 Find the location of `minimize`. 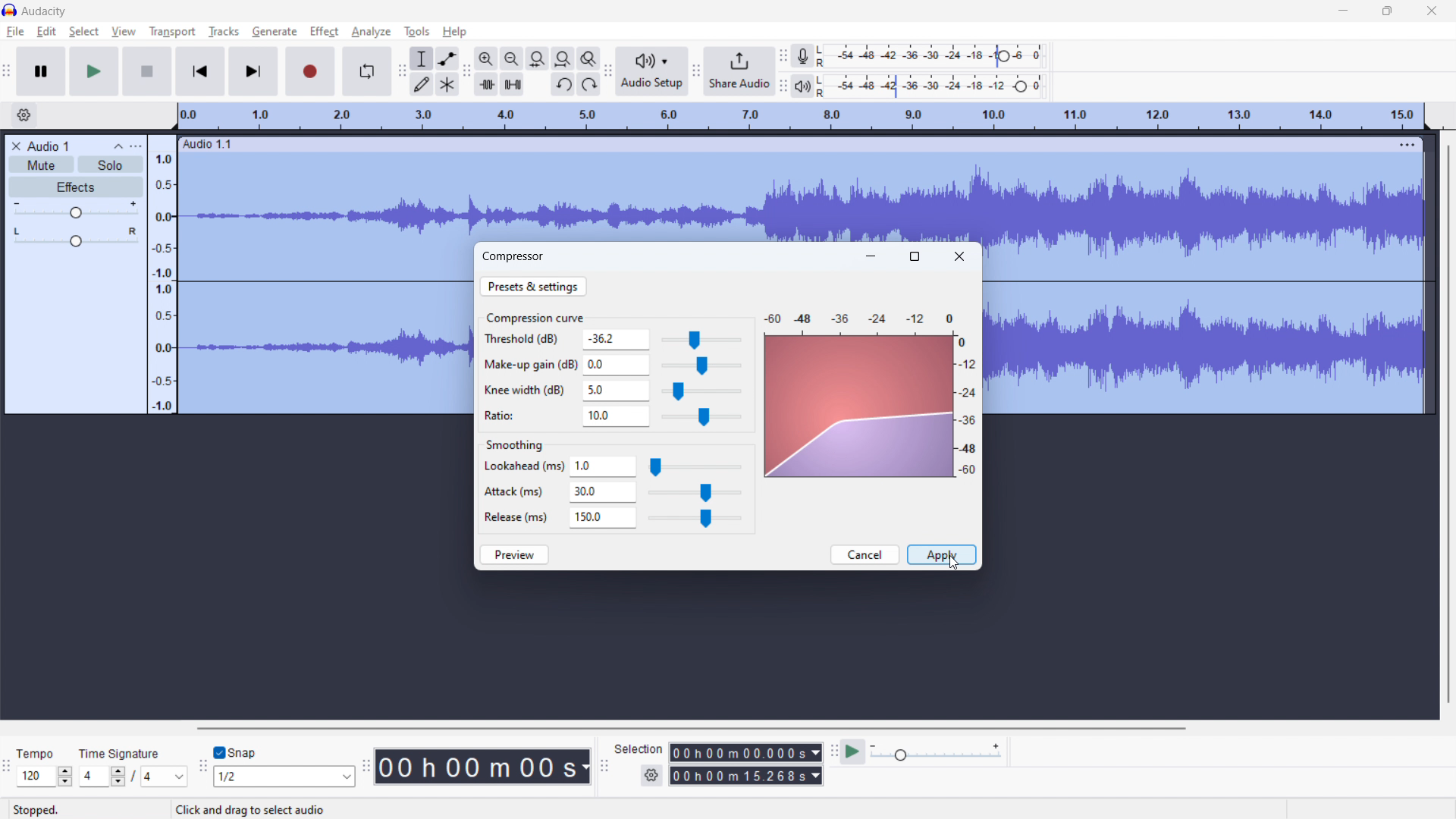

minimize is located at coordinates (1342, 11).